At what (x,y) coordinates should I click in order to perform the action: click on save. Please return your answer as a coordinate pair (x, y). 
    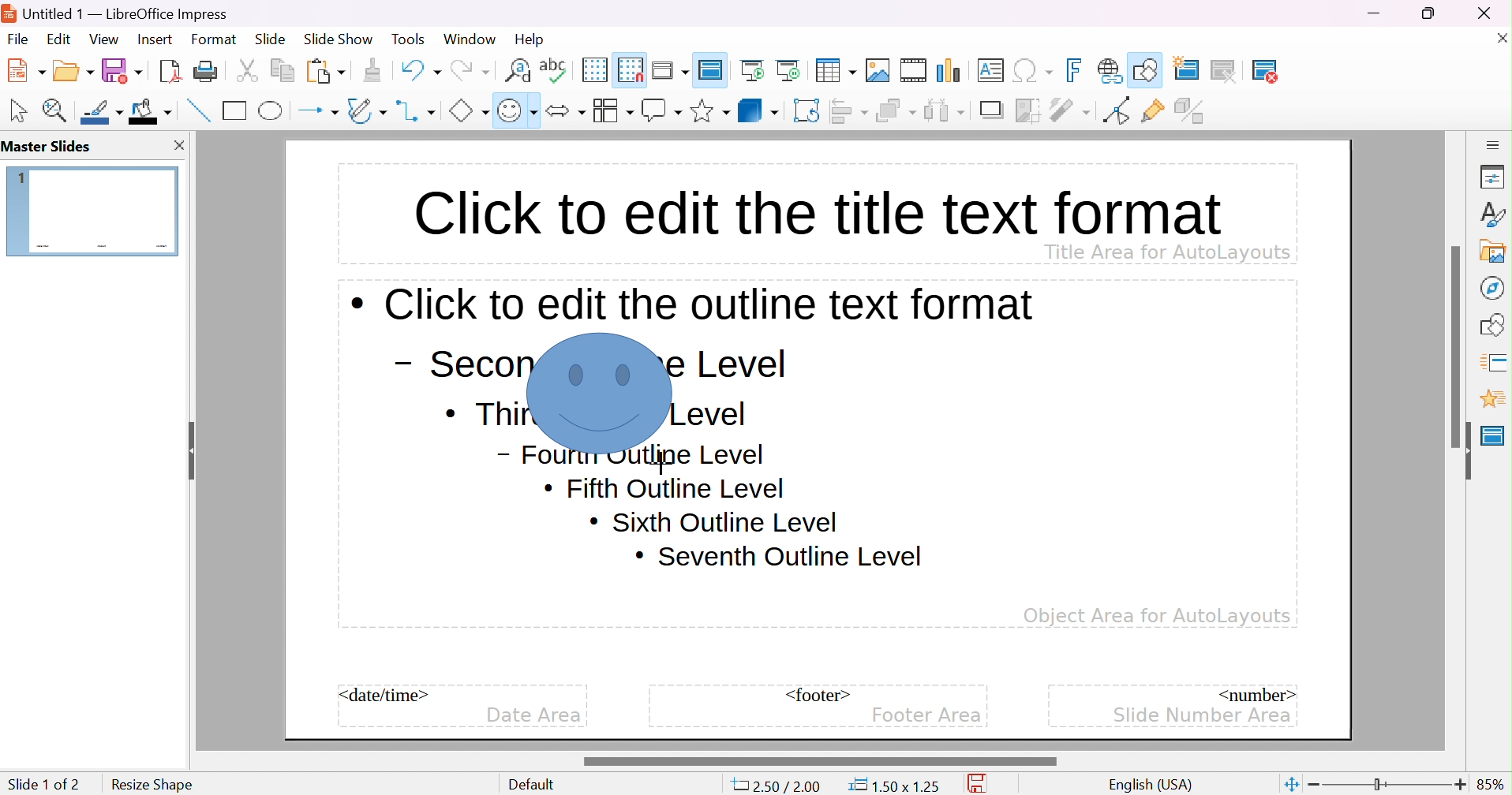
    Looking at the image, I should click on (122, 70).